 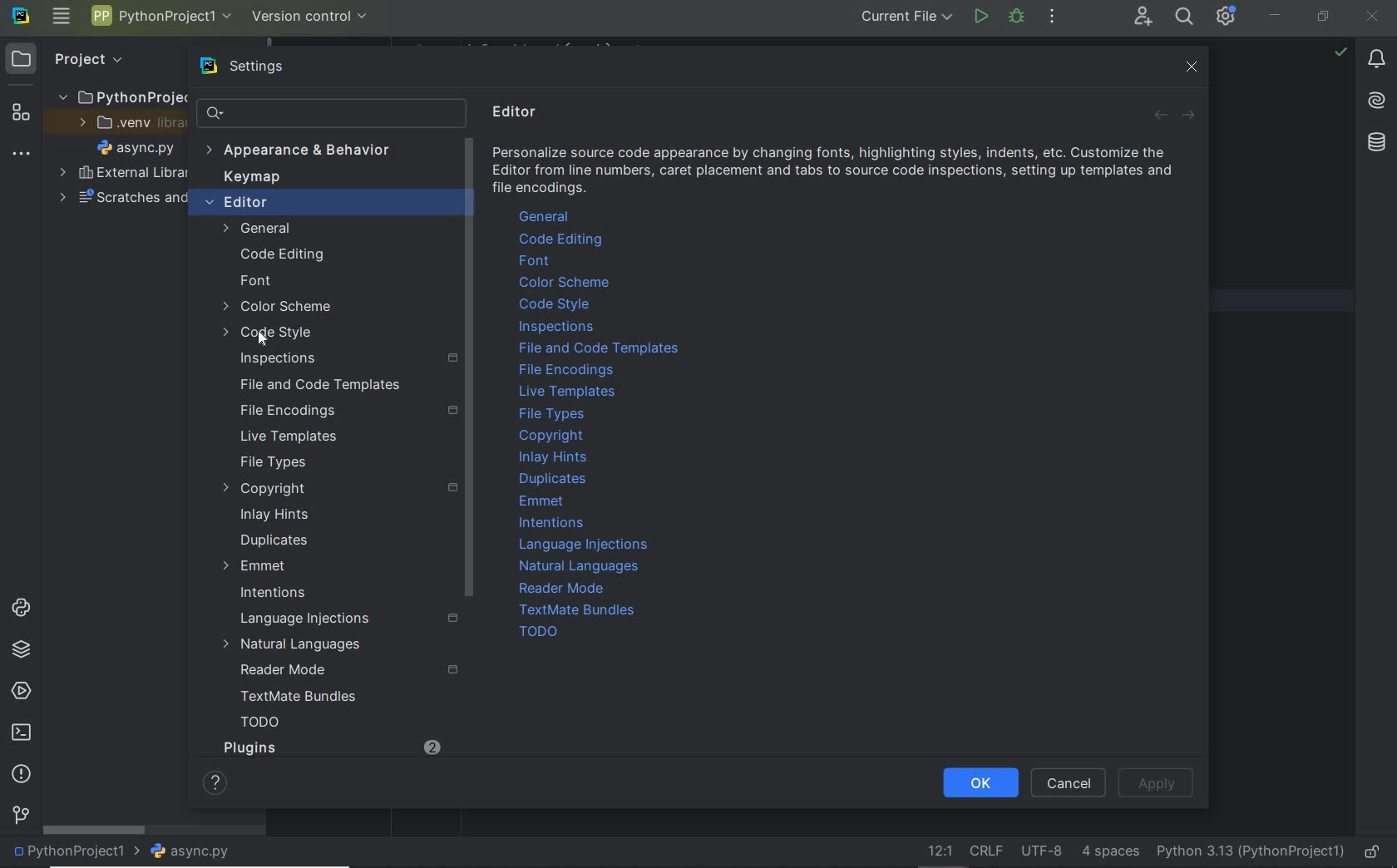 What do you see at coordinates (77, 852) in the screenshot?
I see `project name` at bounding box center [77, 852].